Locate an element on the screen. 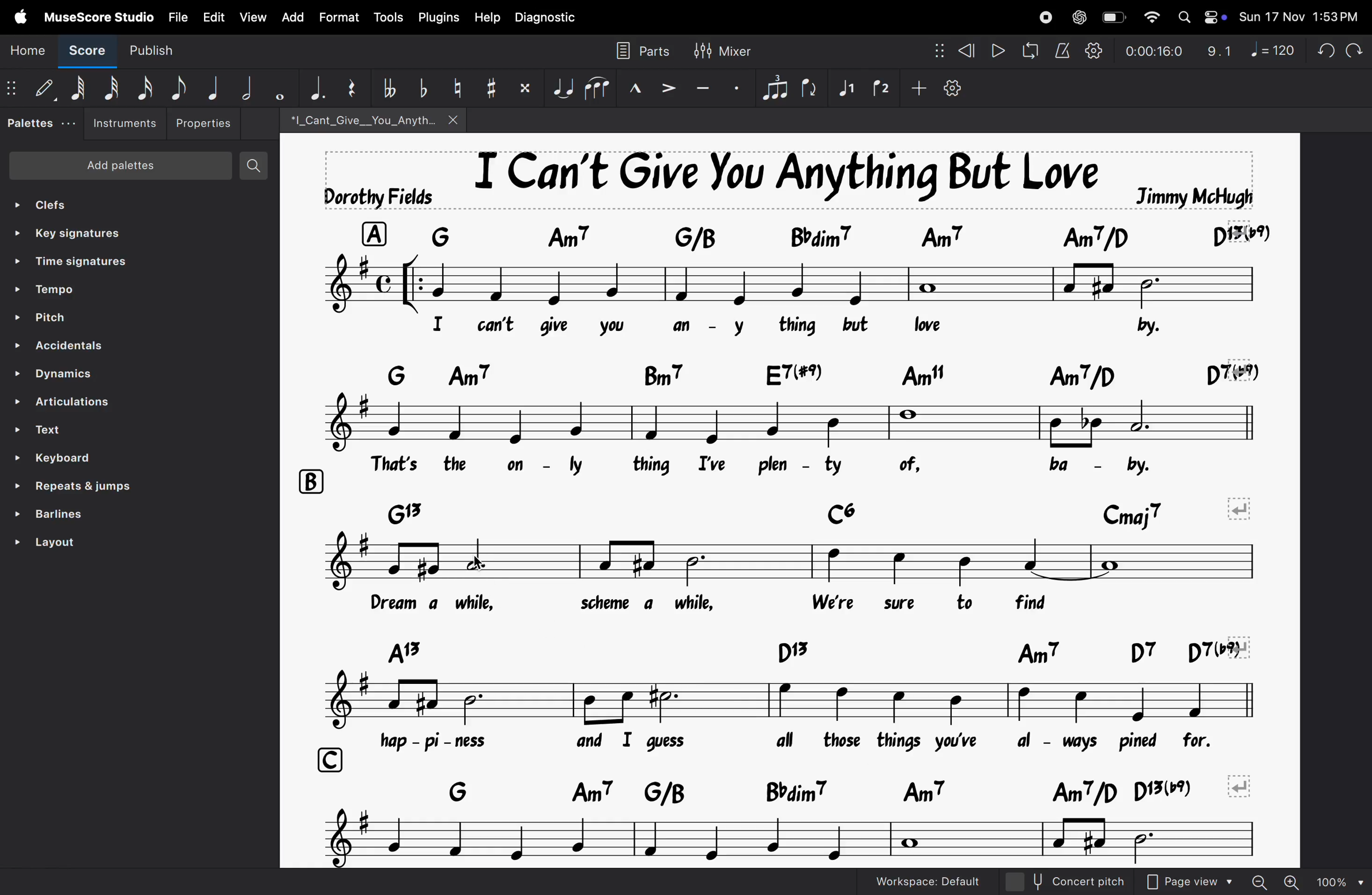 Image resolution: width=1372 pixels, height=895 pixels. tempo is located at coordinates (51, 291).